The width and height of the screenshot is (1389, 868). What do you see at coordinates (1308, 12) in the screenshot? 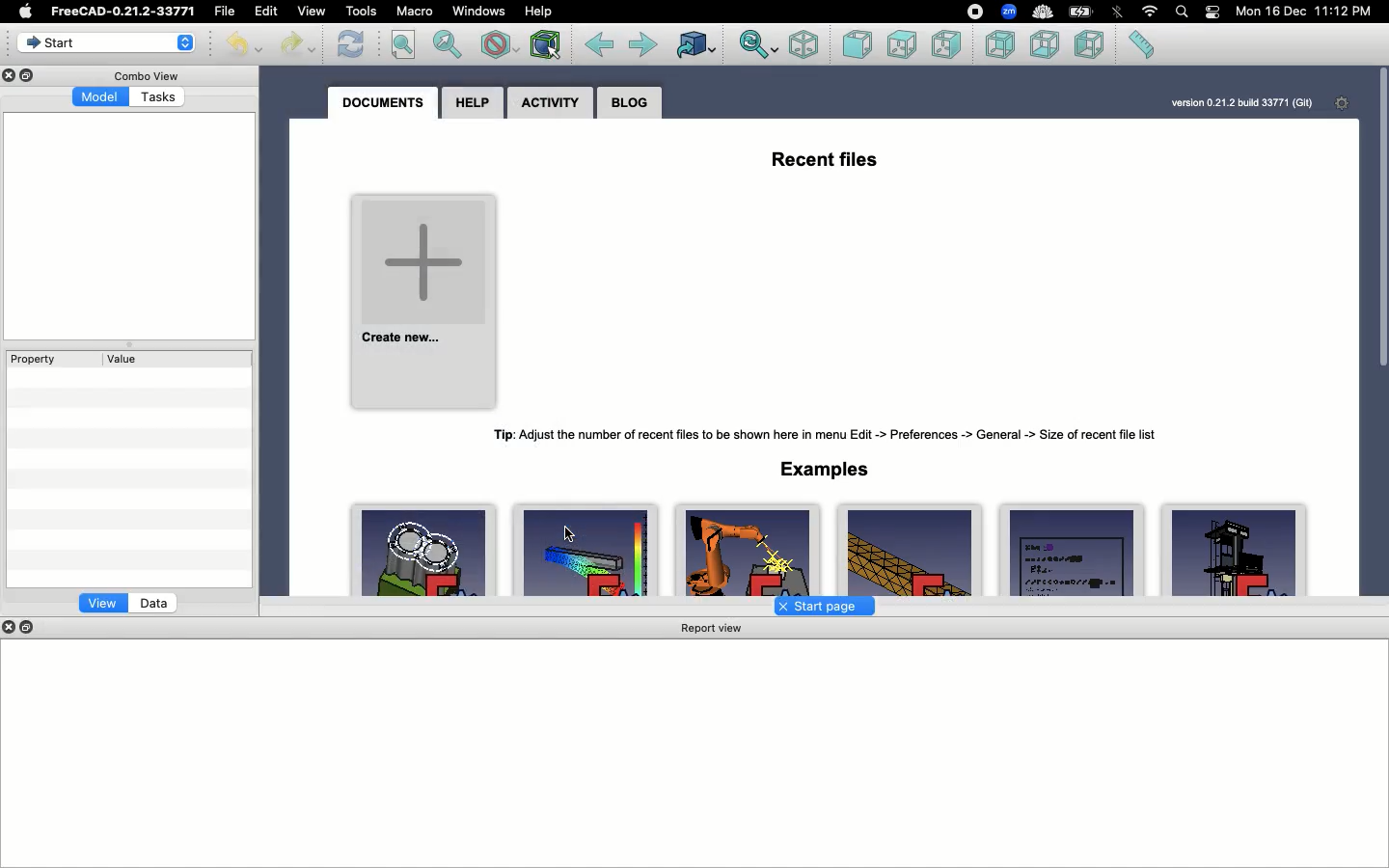
I see `Mon 16 Dec 11:12 PM` at bounding box center [1308, 12].